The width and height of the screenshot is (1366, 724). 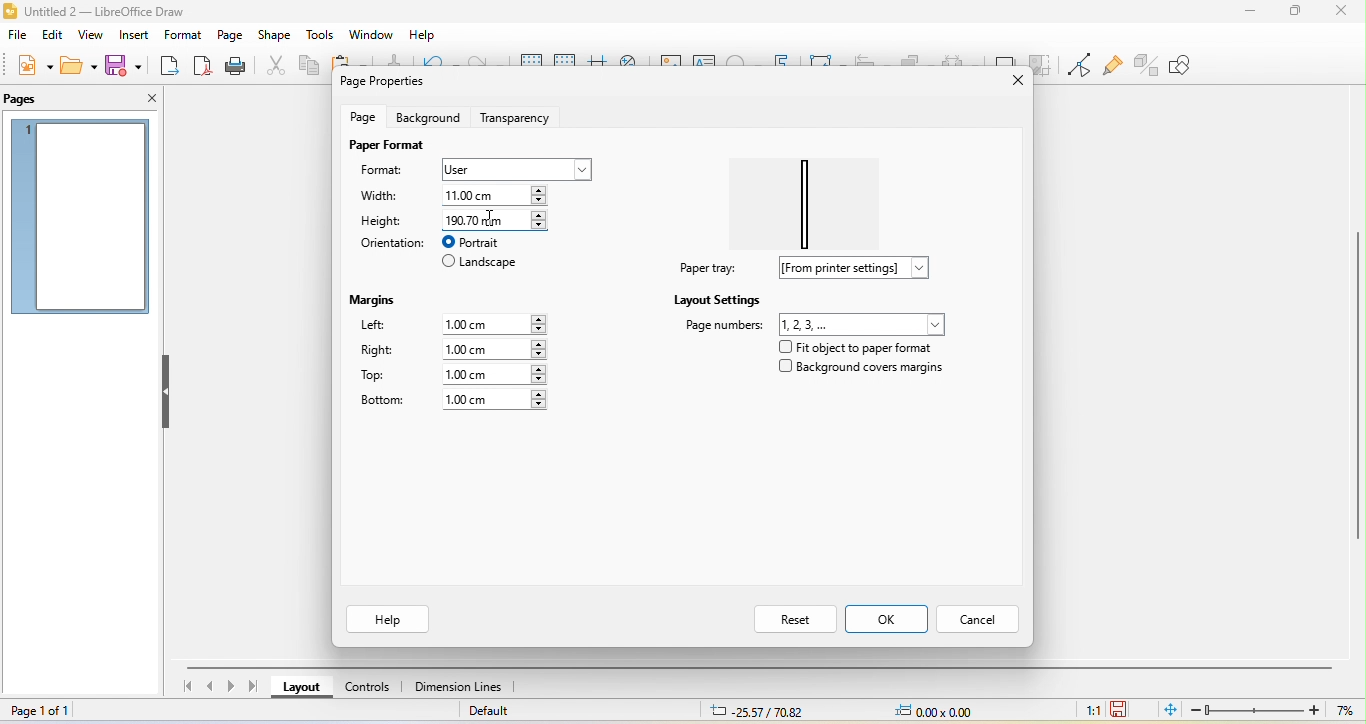 I want to click on page 1 of 1, so click(x=50, y=711).